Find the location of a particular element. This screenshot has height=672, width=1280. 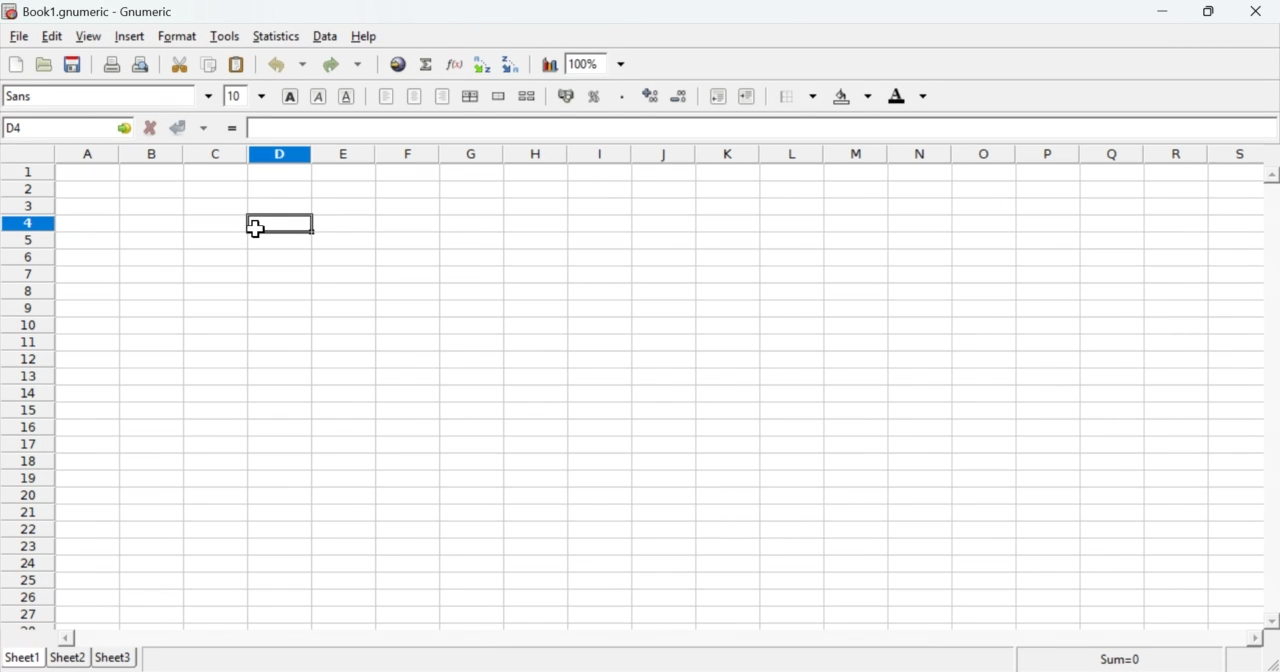

Copy is located at coordinates (209, 65).